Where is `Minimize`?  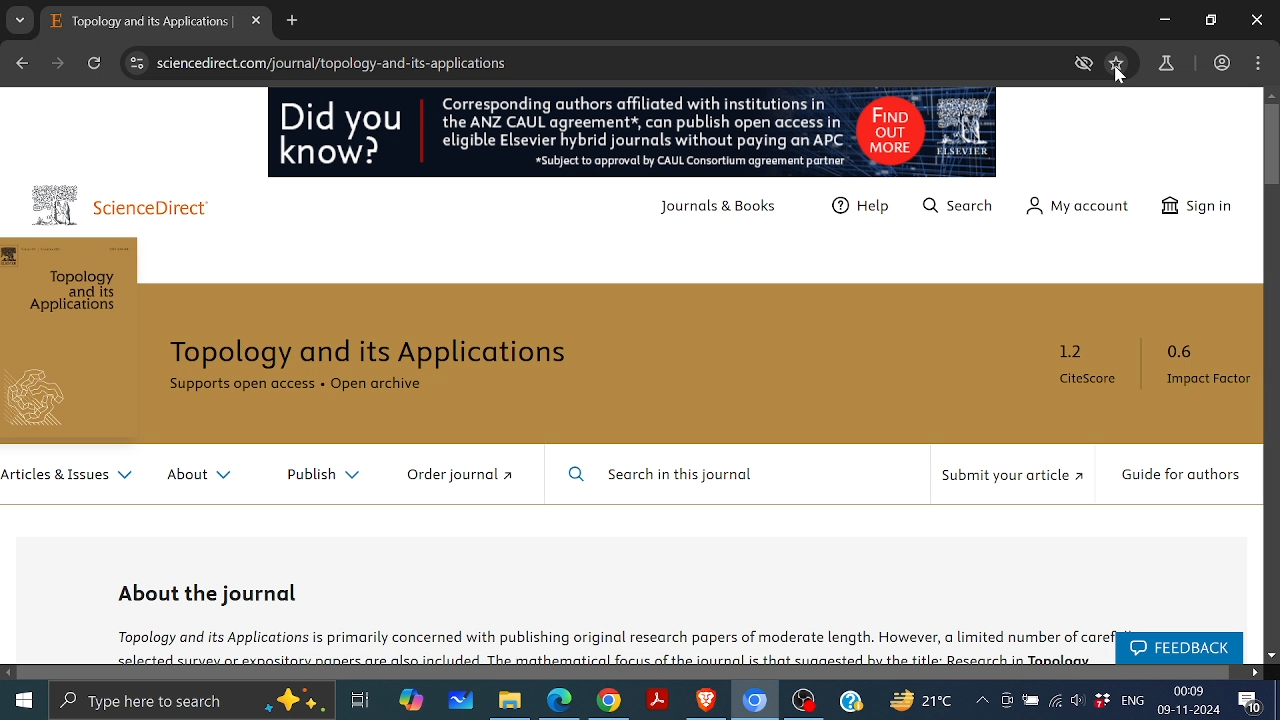 Minimize is located at coordinates (1164, 19).